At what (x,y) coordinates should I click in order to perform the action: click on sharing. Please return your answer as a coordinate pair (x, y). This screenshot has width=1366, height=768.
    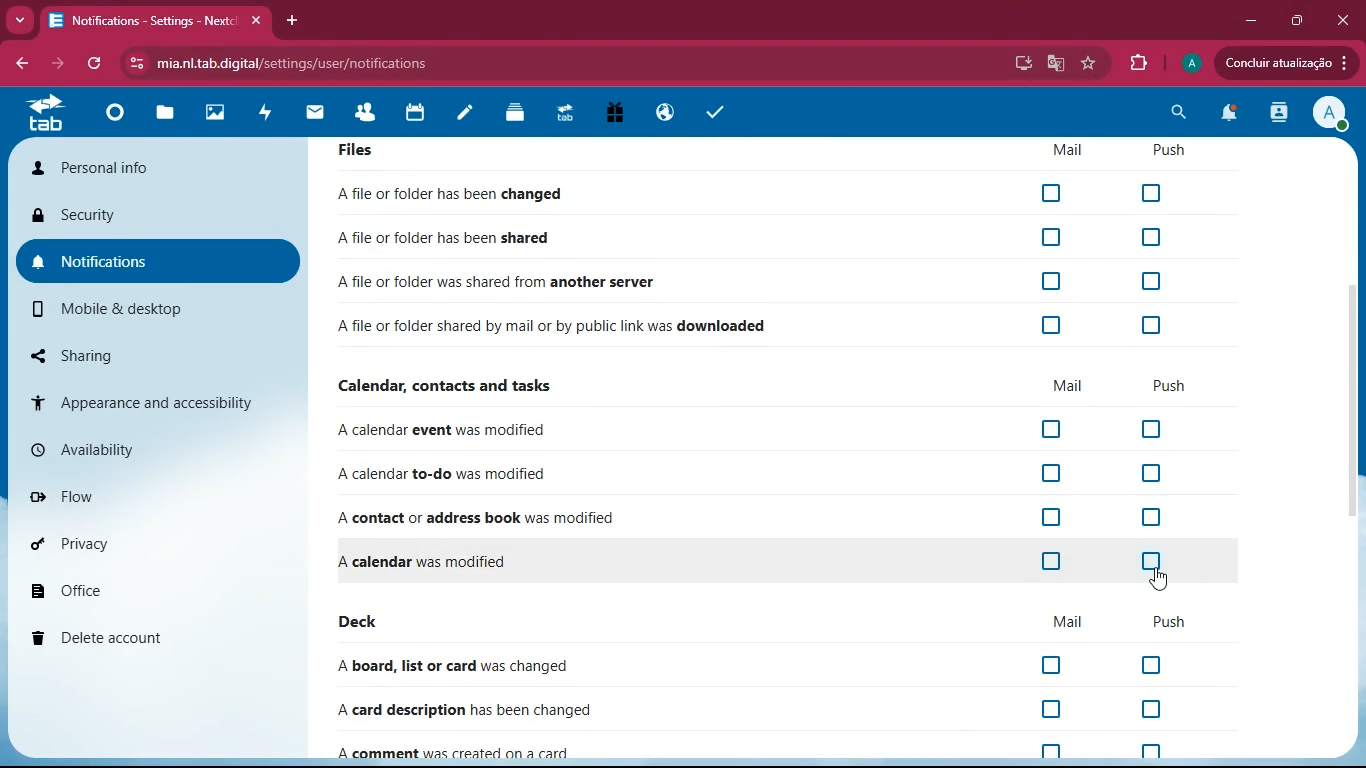
    Looking at the image, I should click on (119, 353).